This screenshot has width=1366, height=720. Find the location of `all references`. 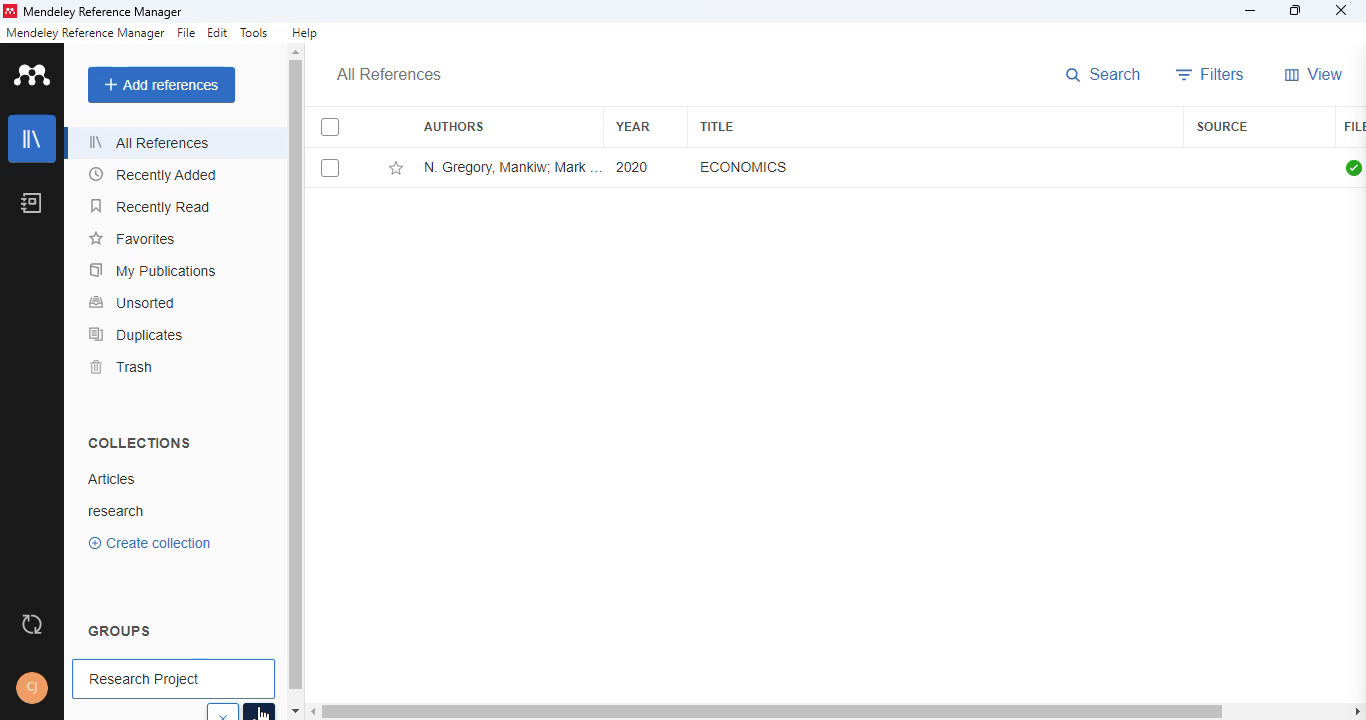

all references is located at coordinates (390, 73).